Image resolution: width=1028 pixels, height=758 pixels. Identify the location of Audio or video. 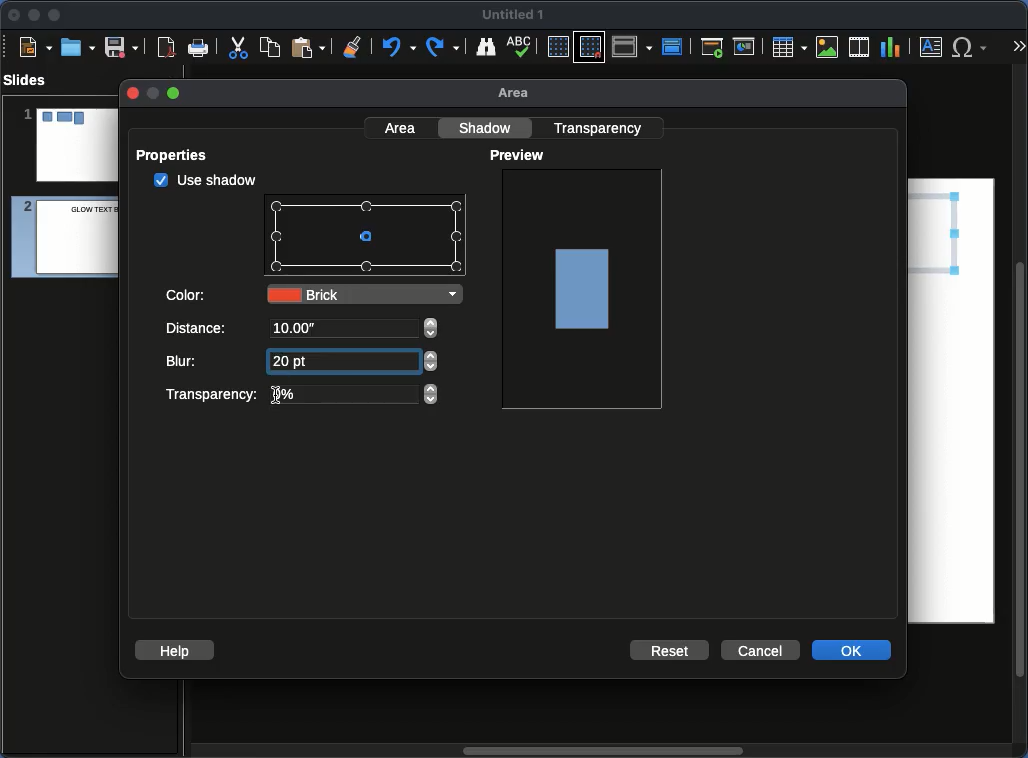
(860, 47).